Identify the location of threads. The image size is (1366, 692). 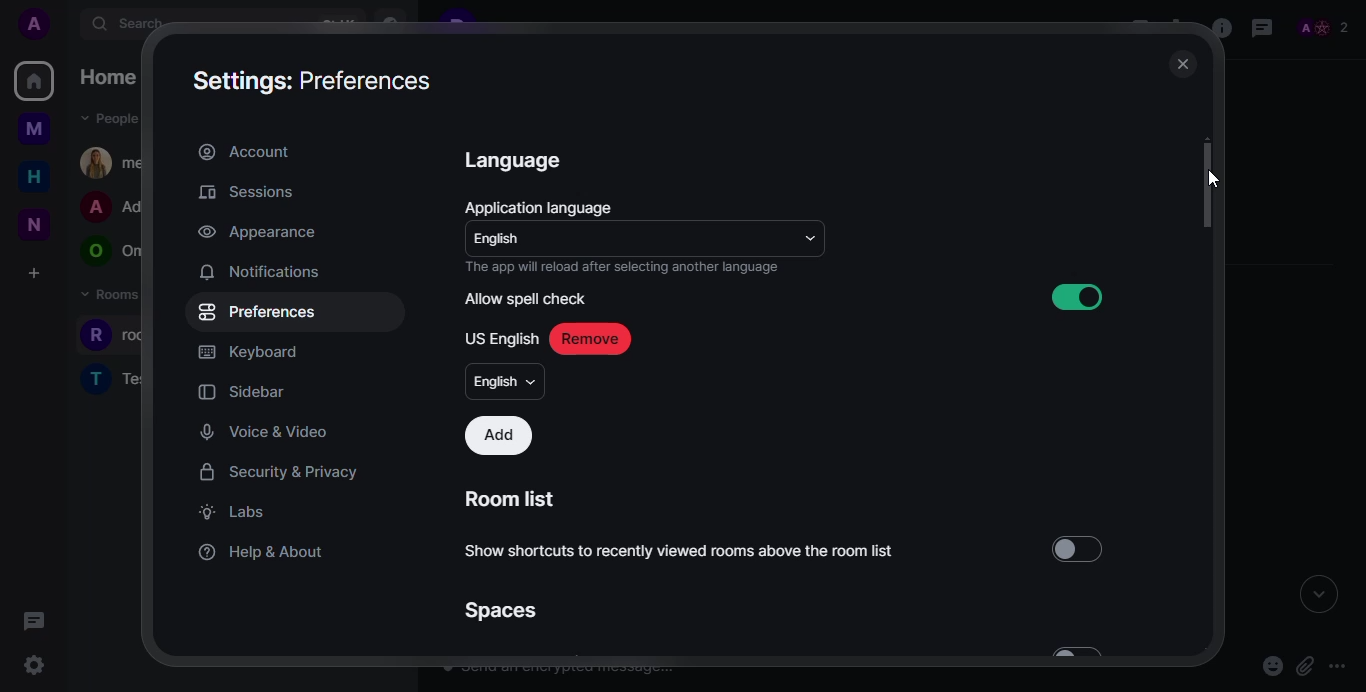
(35, 621).